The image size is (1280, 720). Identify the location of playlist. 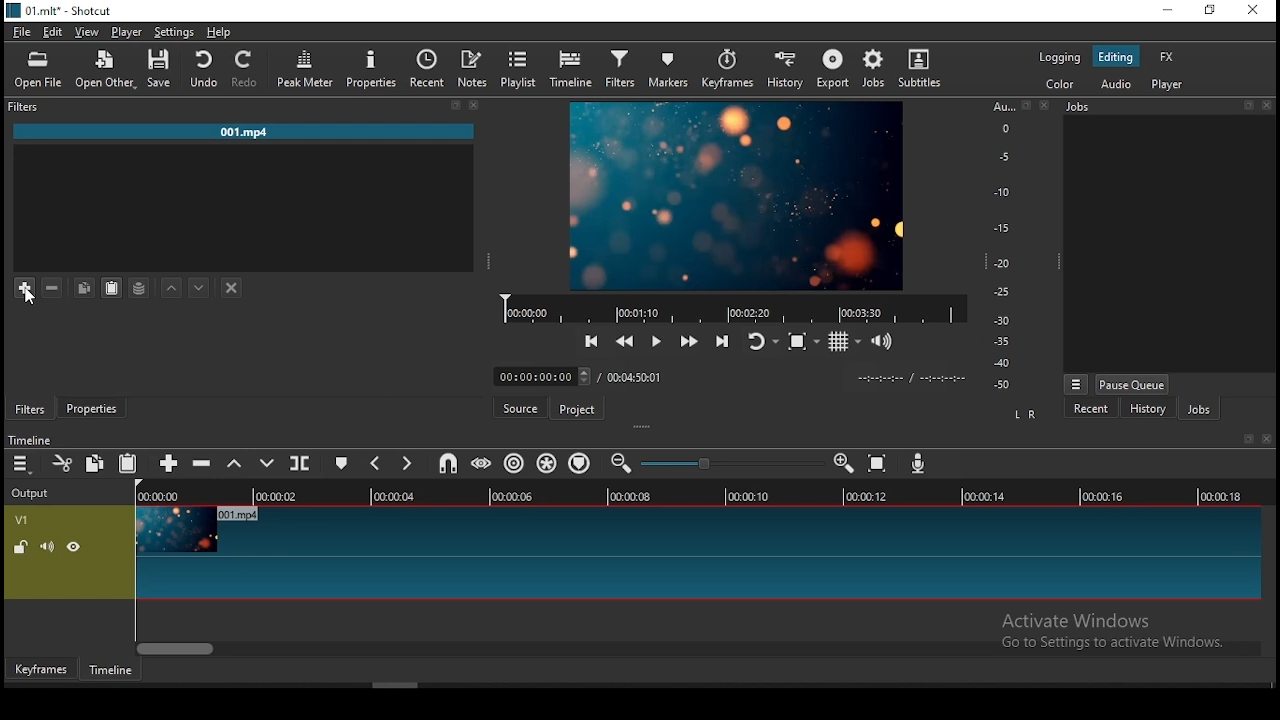
(519, 69).